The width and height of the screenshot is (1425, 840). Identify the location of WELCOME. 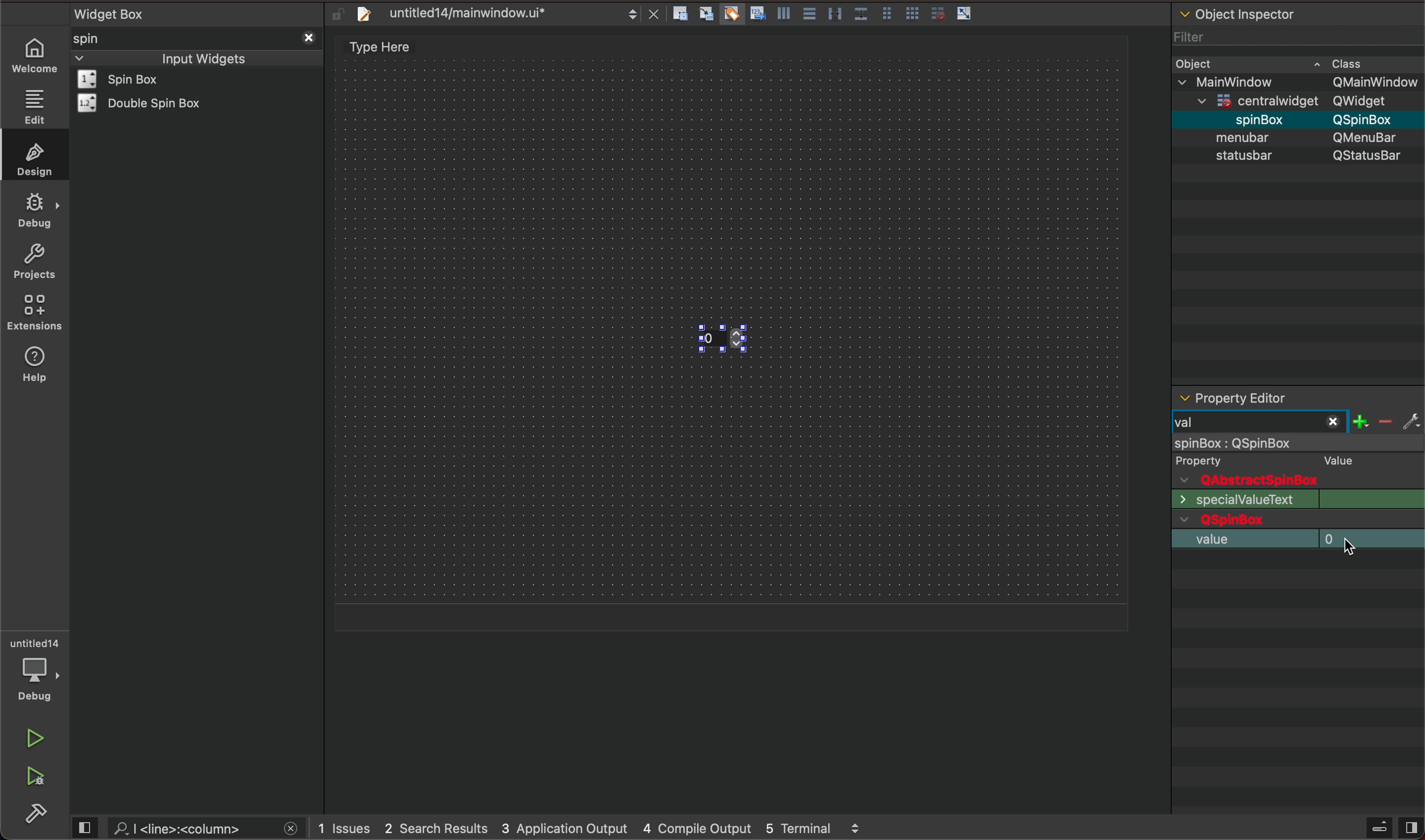
(36, 56).